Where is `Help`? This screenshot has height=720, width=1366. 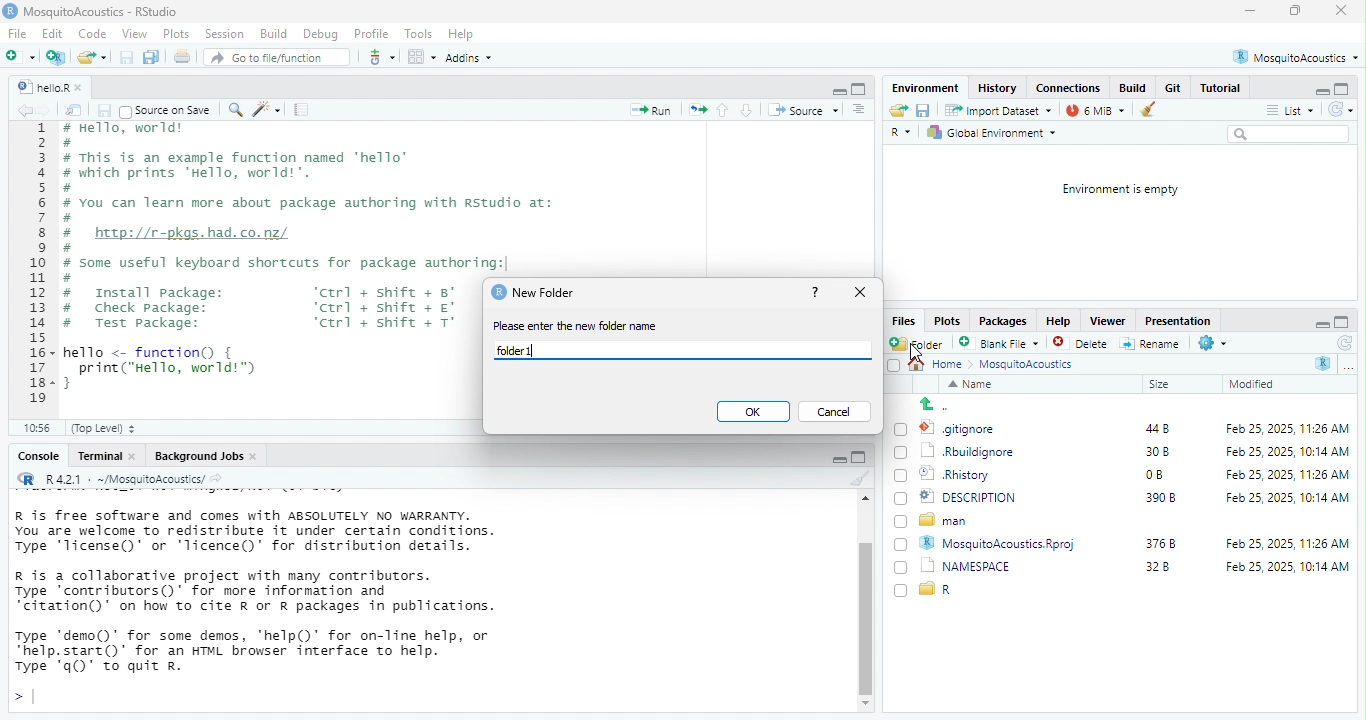 Help is located at coordinates (462, 35).